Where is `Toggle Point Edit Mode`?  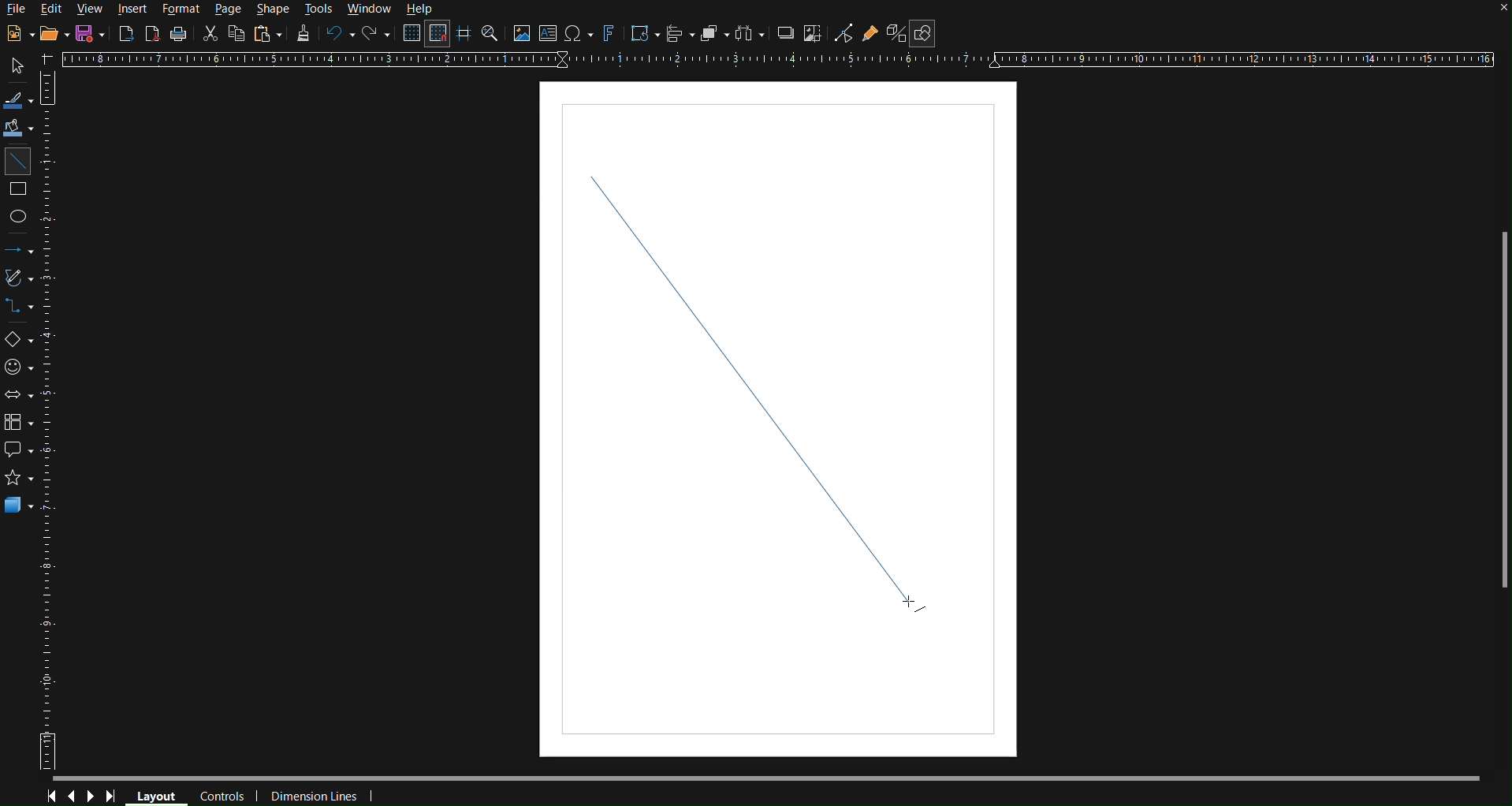
Toggle Point Edit Mode is located at coordinates (844, 32).